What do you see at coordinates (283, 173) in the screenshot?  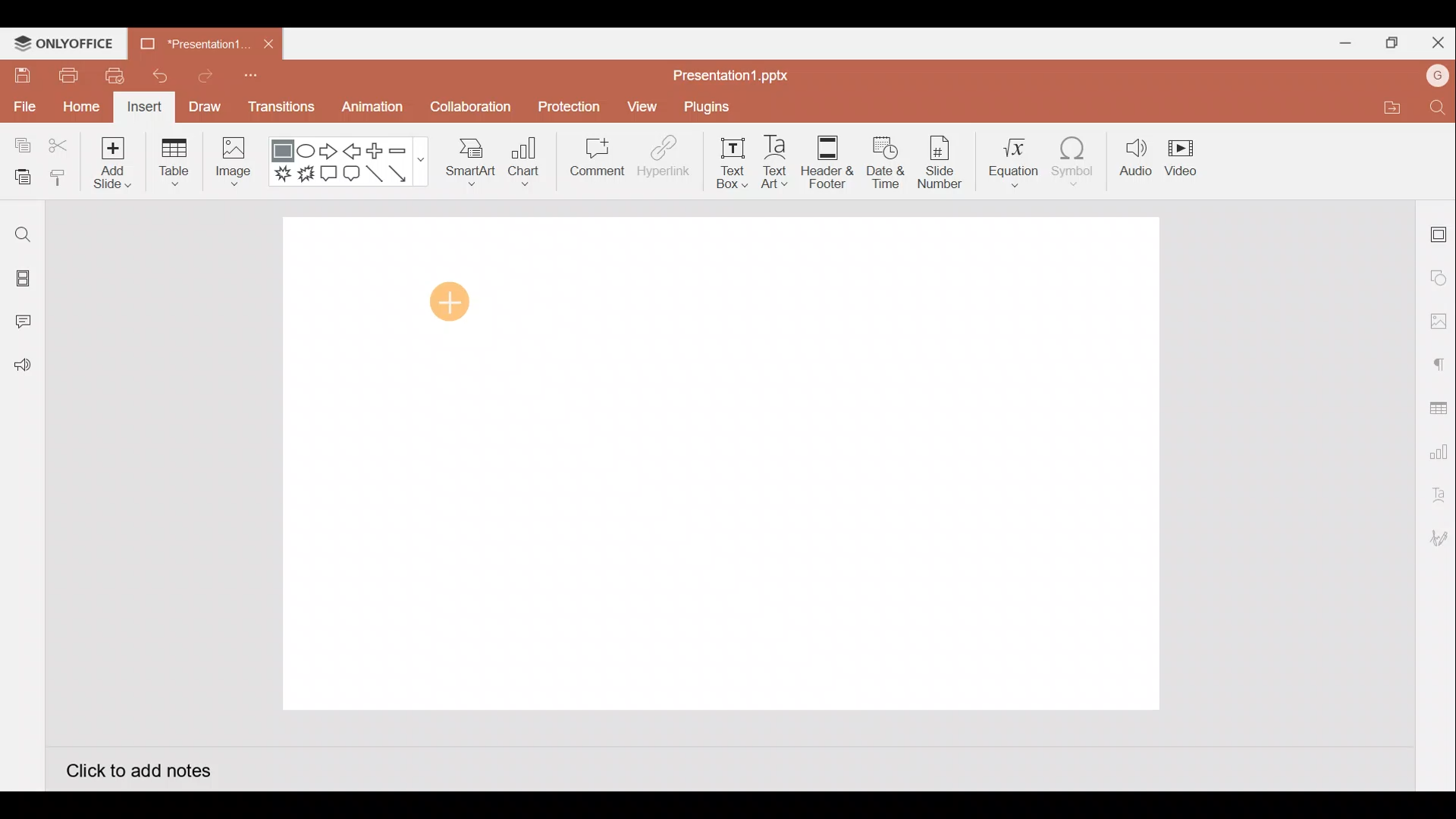 I see `Explosion 1` at bounding box center [283, 173].